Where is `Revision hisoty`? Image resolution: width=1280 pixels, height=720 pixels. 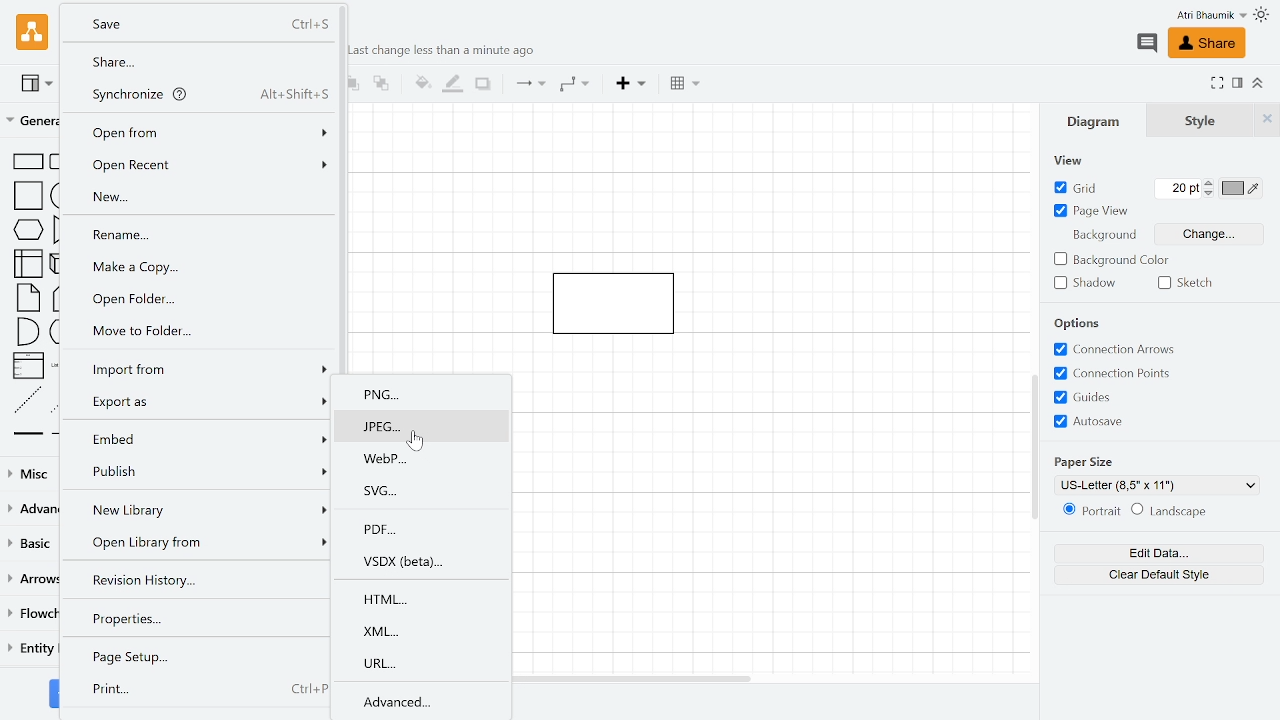
Revision hisoty is located at coordinates (193, 579).